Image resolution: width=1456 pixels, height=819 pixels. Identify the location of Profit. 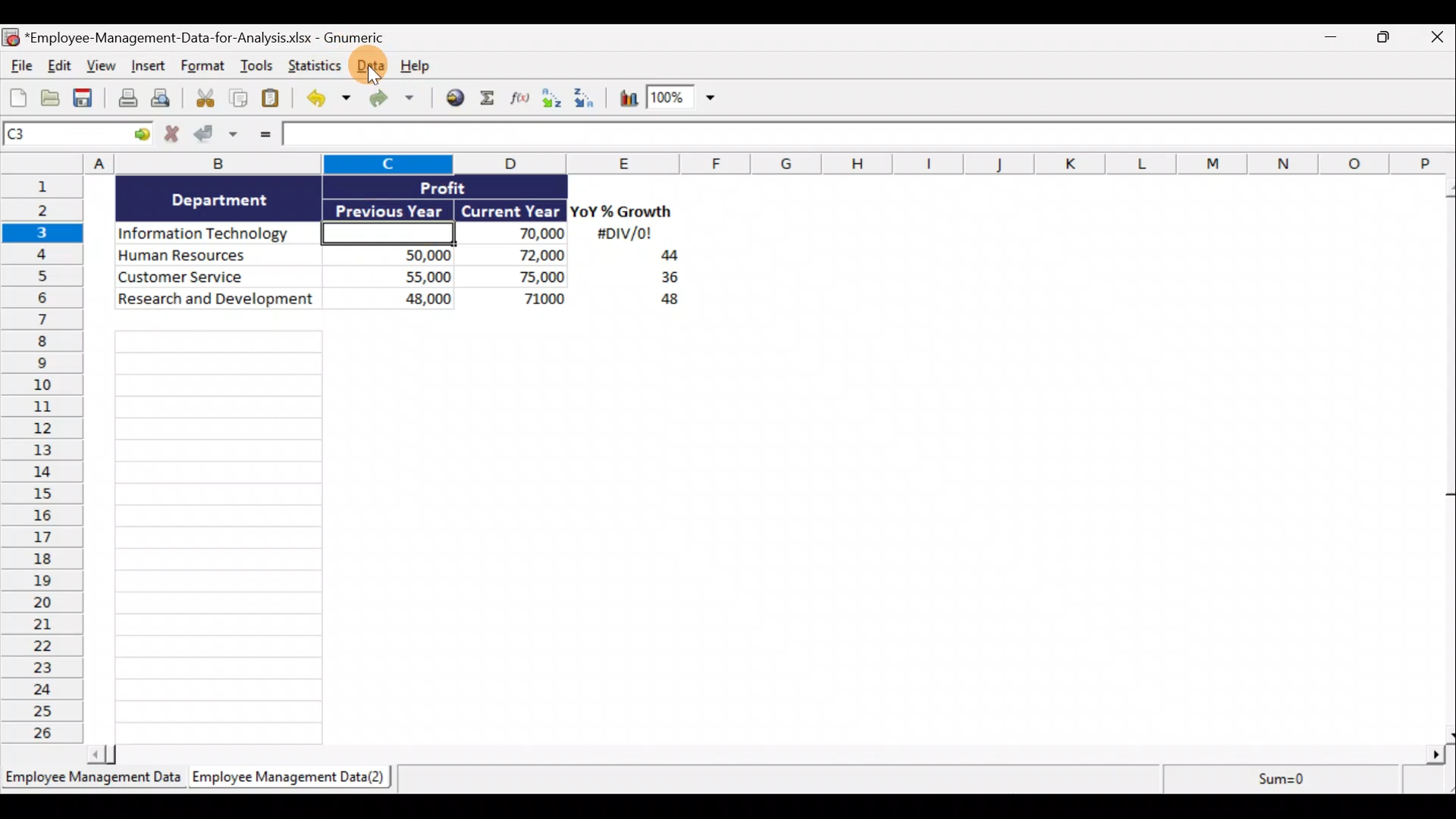
(468, 187).